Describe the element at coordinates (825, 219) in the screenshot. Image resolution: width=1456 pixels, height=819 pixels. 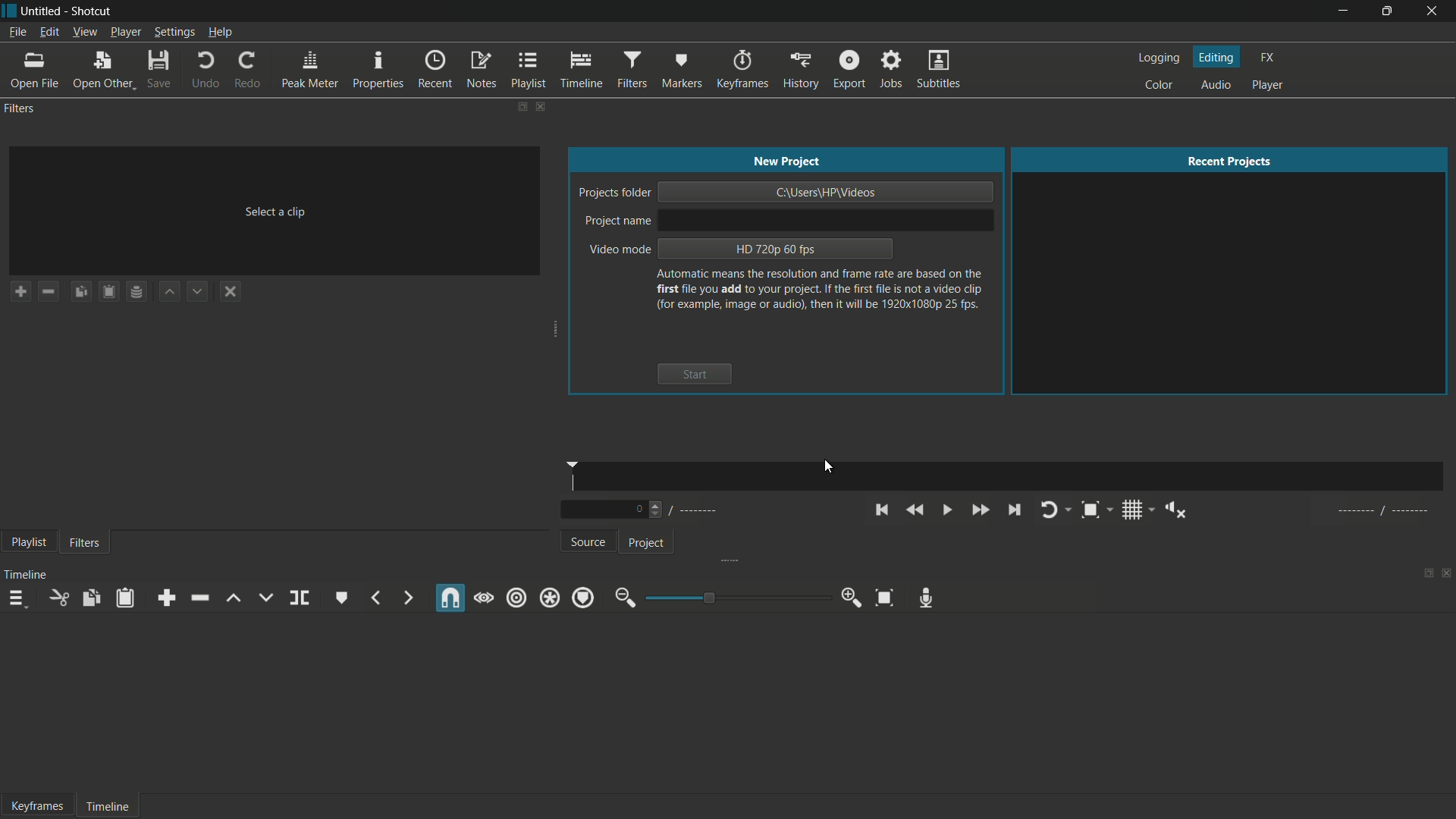
I see `project name input bar` at that location.